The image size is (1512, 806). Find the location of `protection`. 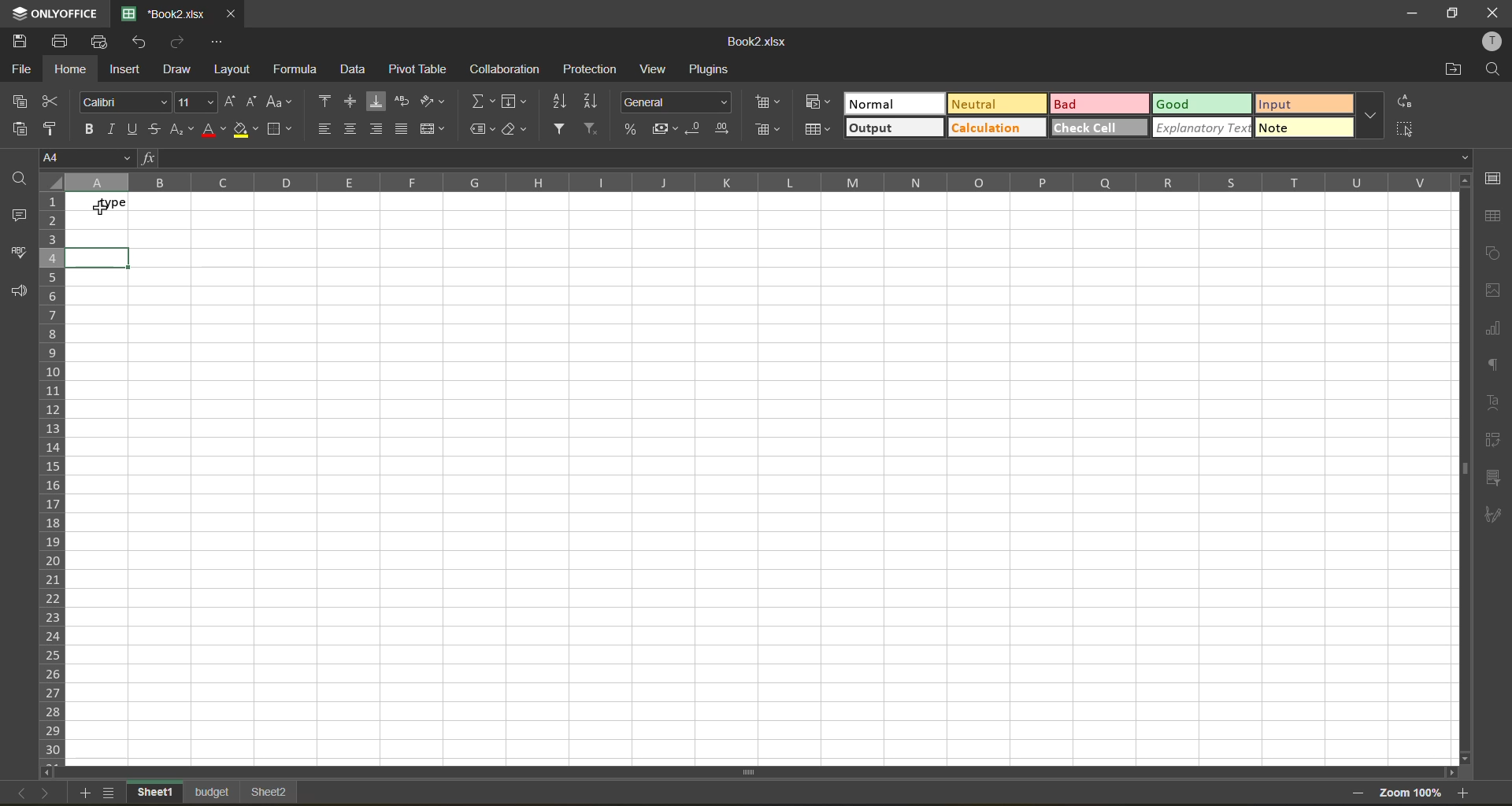

protection is located at coordinates (594, 67).